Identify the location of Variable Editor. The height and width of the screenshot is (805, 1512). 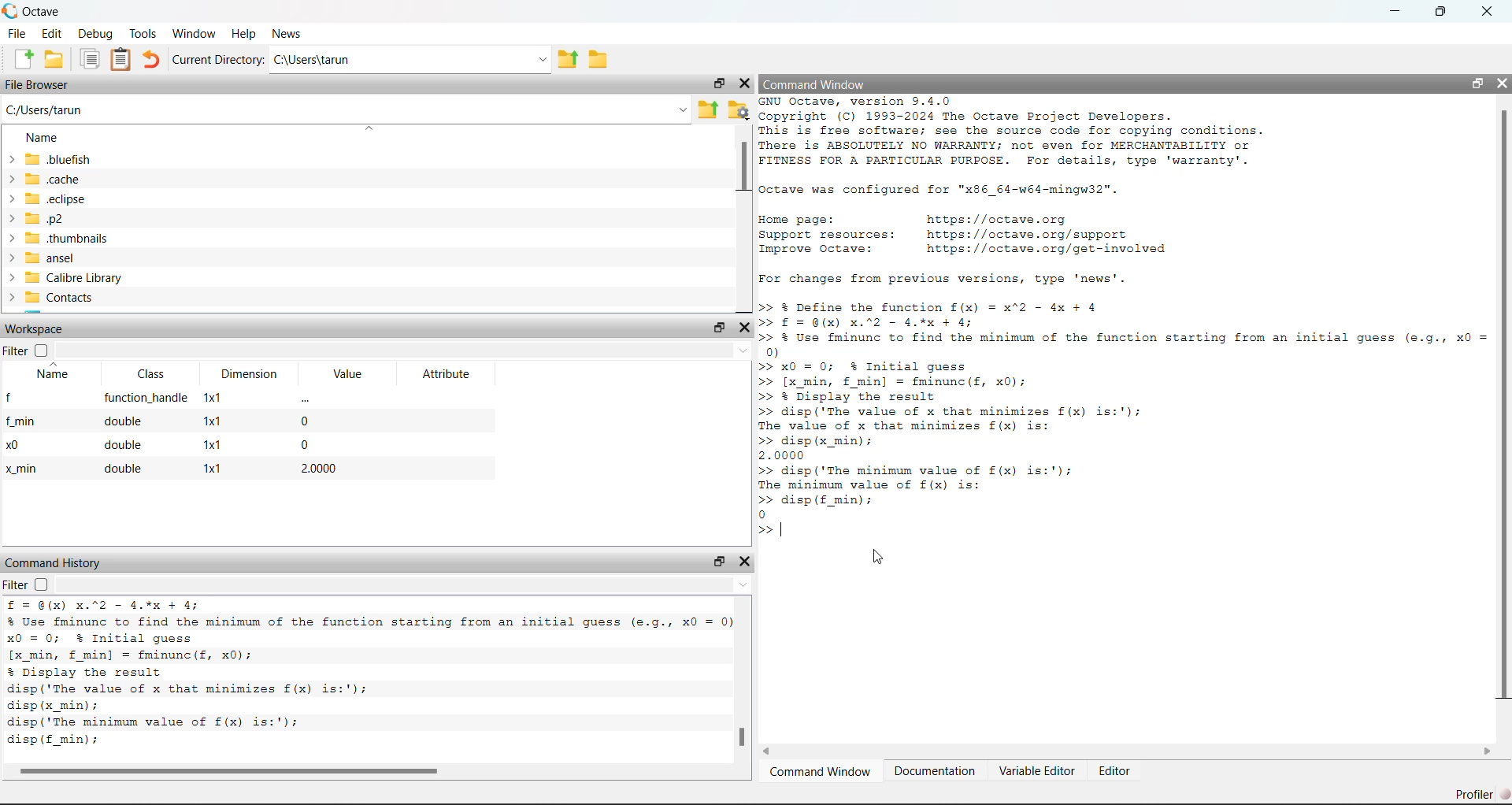
(1039, 768).